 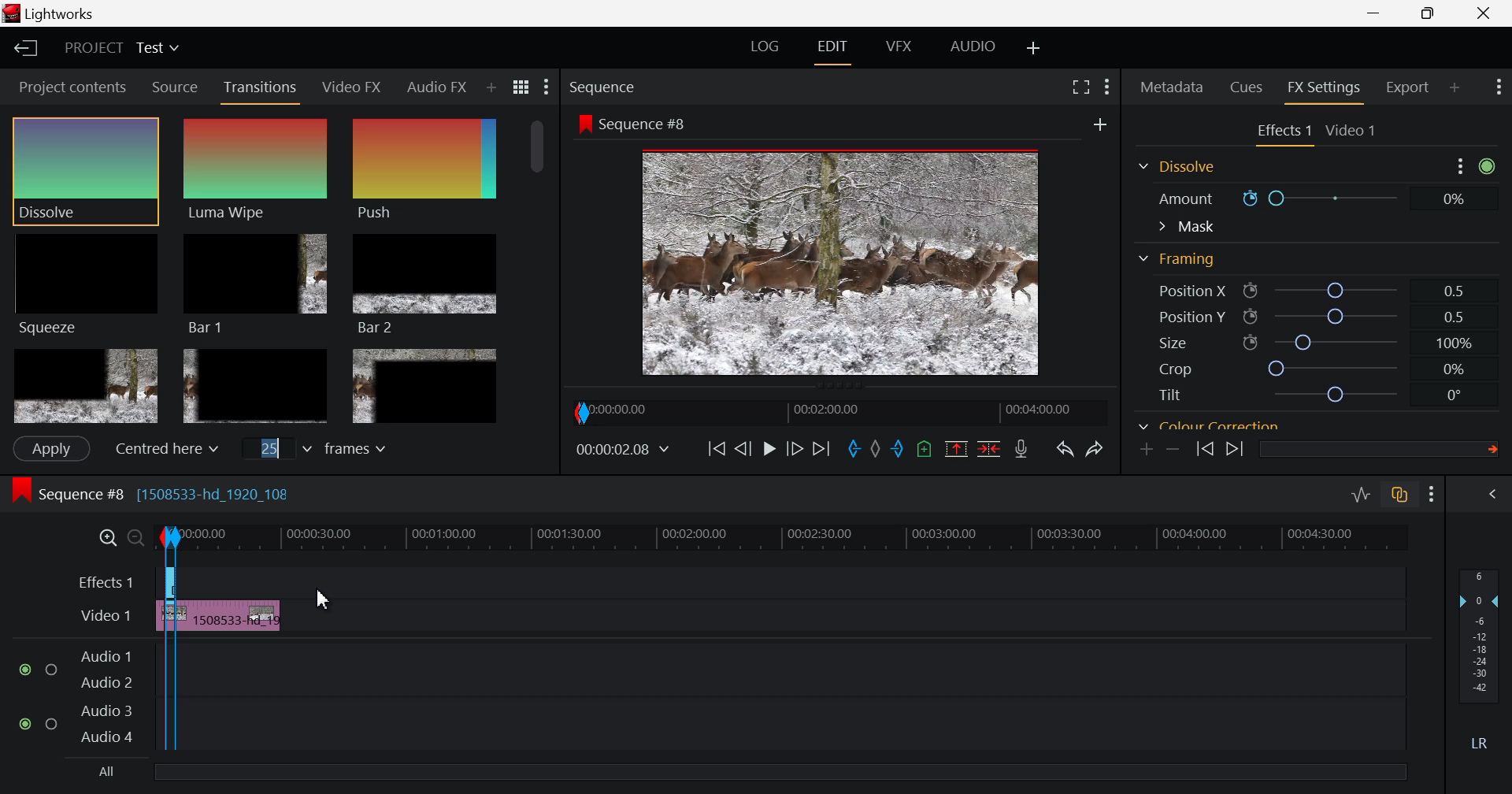 I want to click on Show Settings, so click(x=548, y=87).